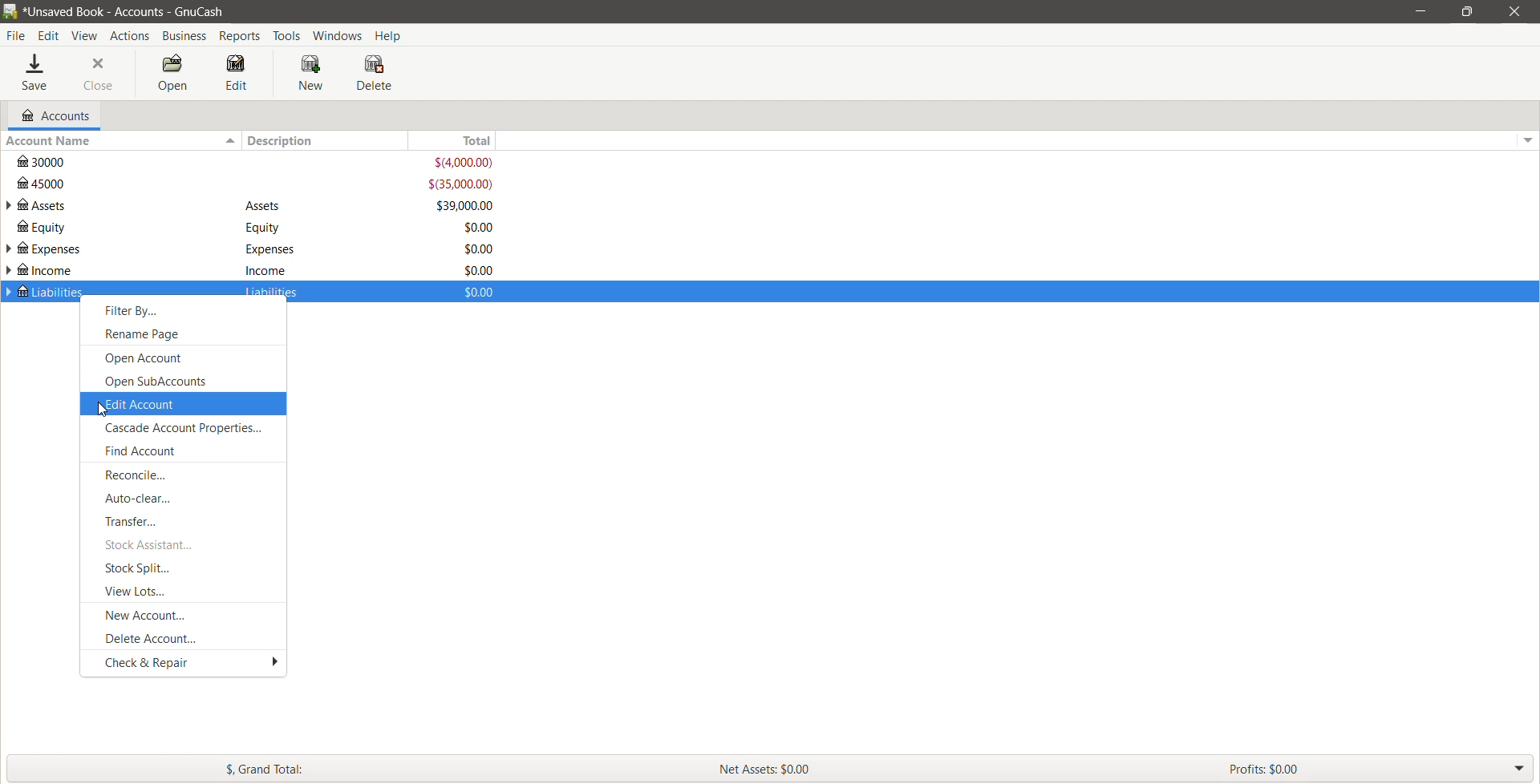 Image resolution: width=1540 pixels, height=784 pixels. I want to click on Help, so click(391, 34).